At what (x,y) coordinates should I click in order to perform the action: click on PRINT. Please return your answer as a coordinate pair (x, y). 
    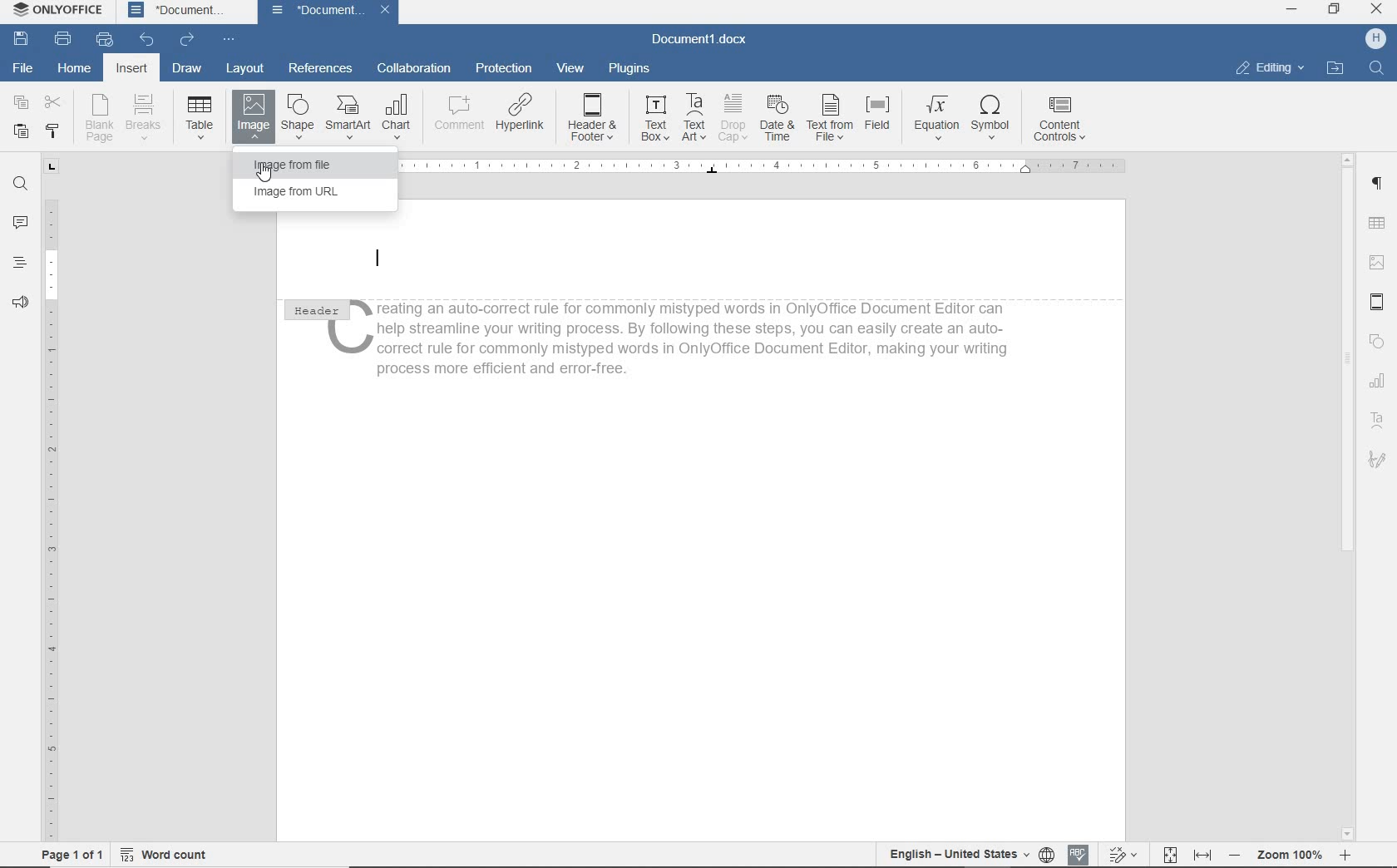
    Looking at the image, I should click on (63, 37).